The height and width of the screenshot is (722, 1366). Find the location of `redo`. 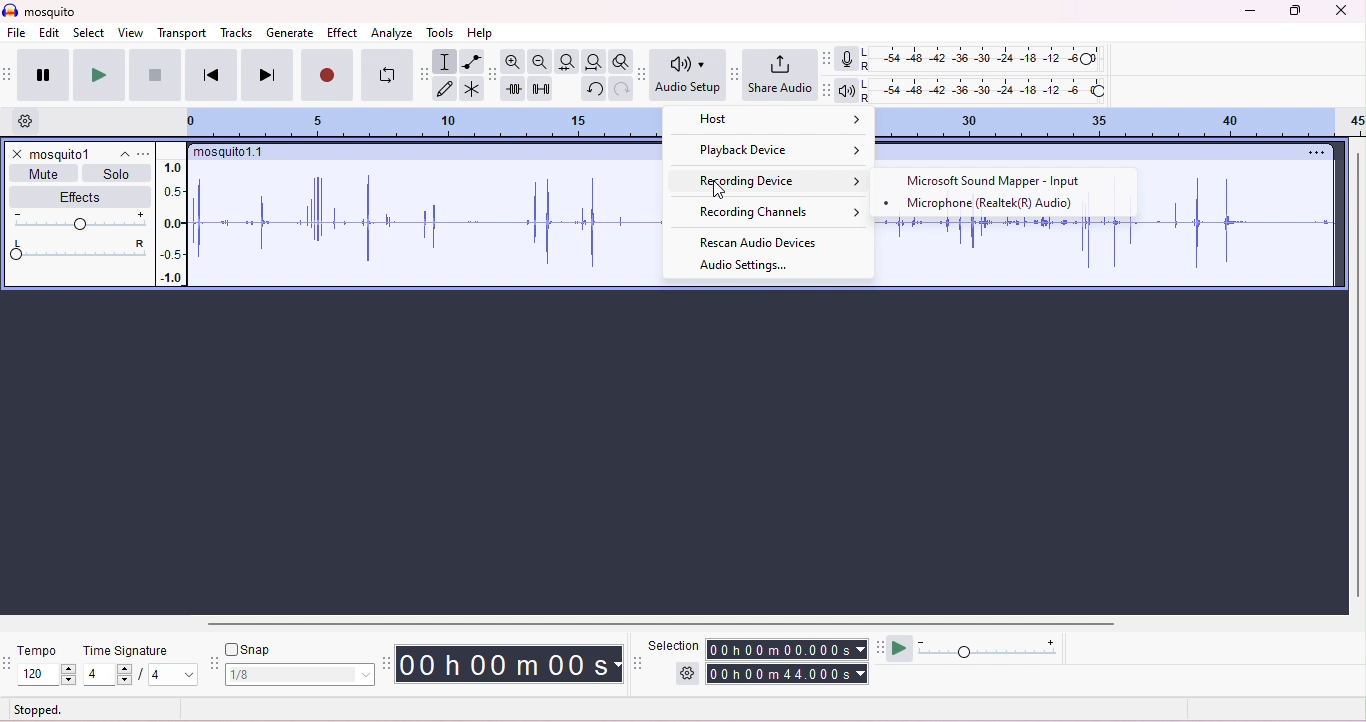

redo is located at coordinates (620, 88).